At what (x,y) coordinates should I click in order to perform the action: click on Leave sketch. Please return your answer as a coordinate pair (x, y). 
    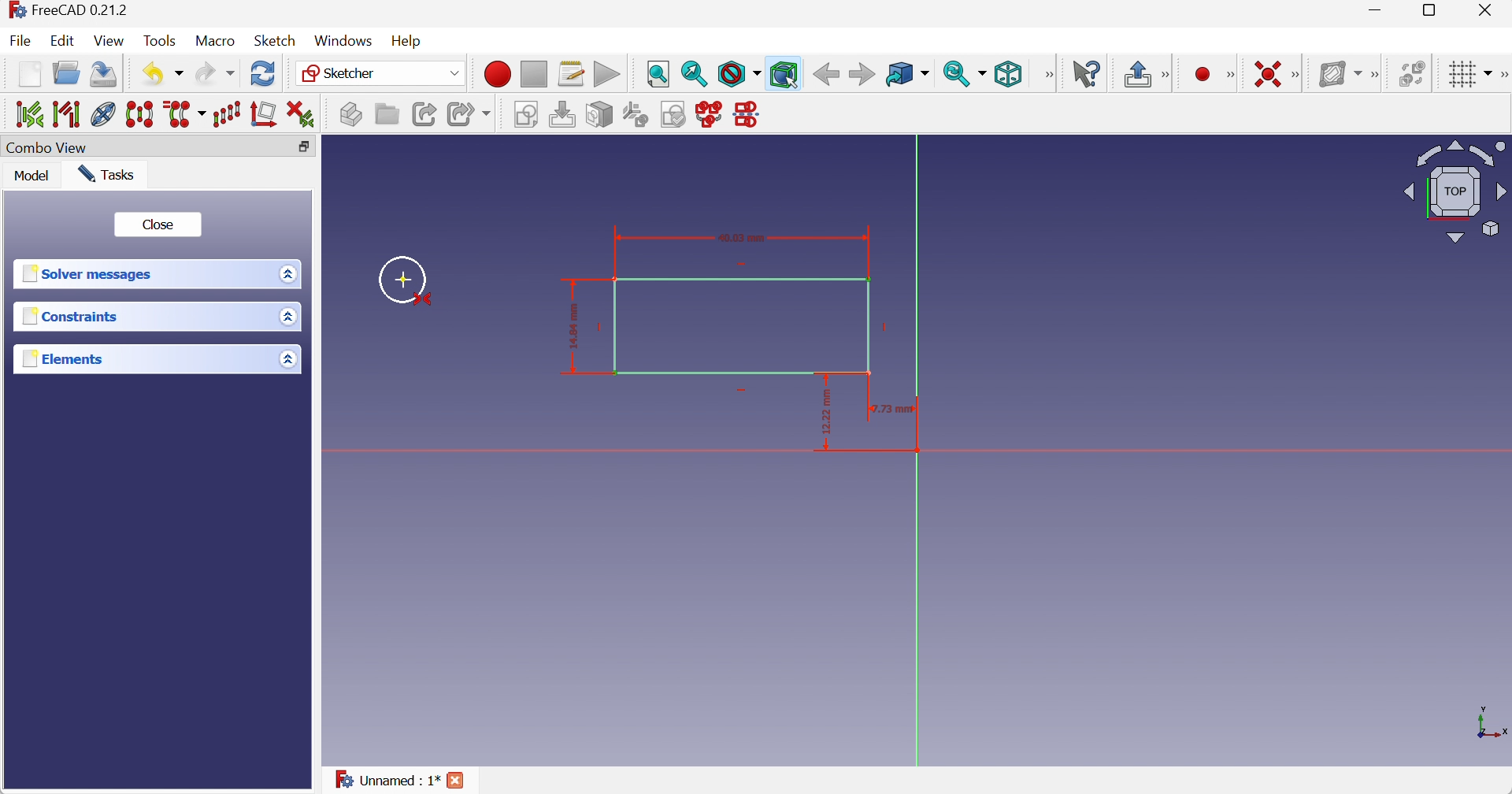
    Looking at the image, I should click on (1138, 75).